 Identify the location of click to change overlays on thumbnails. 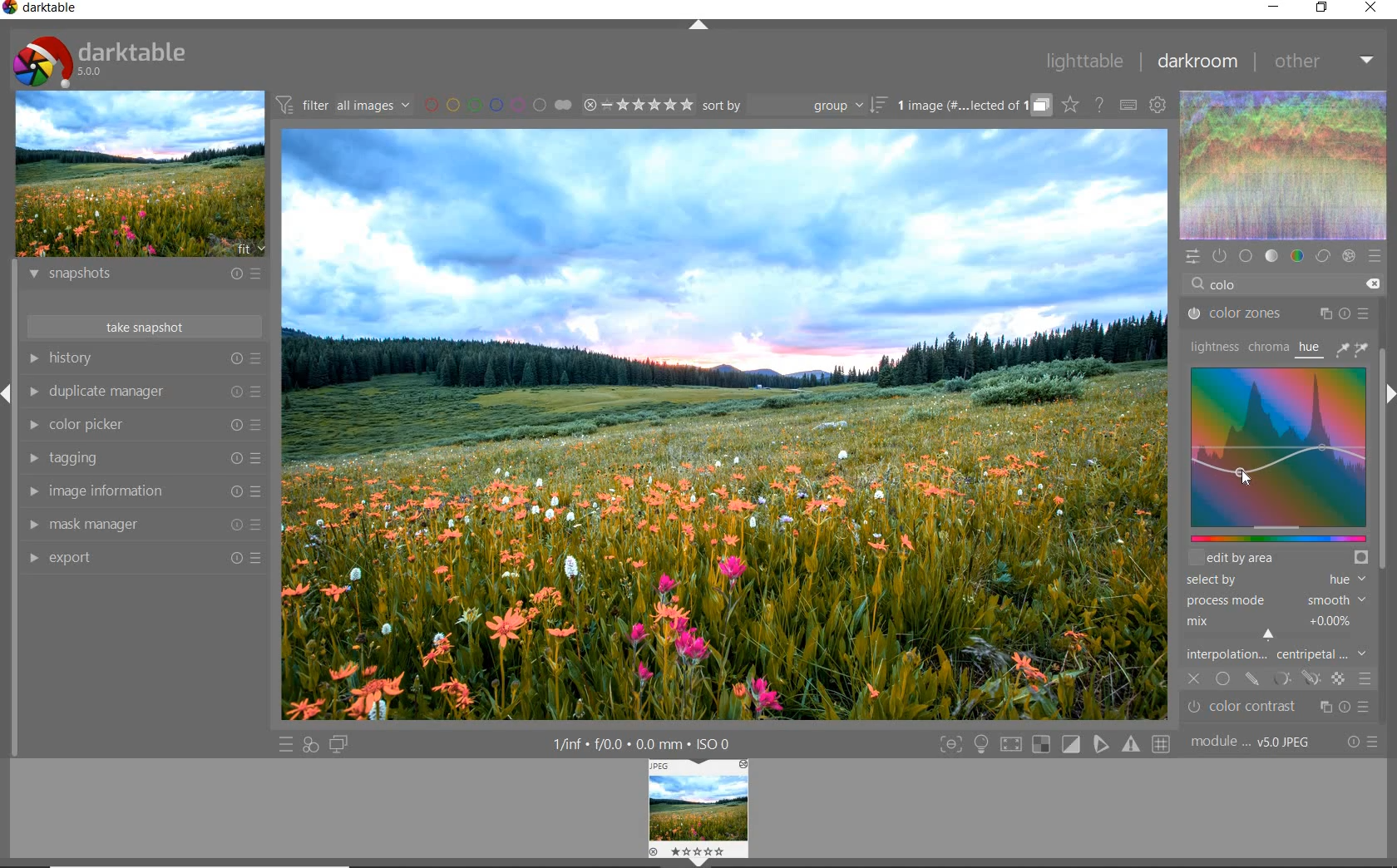
(1069, 104).